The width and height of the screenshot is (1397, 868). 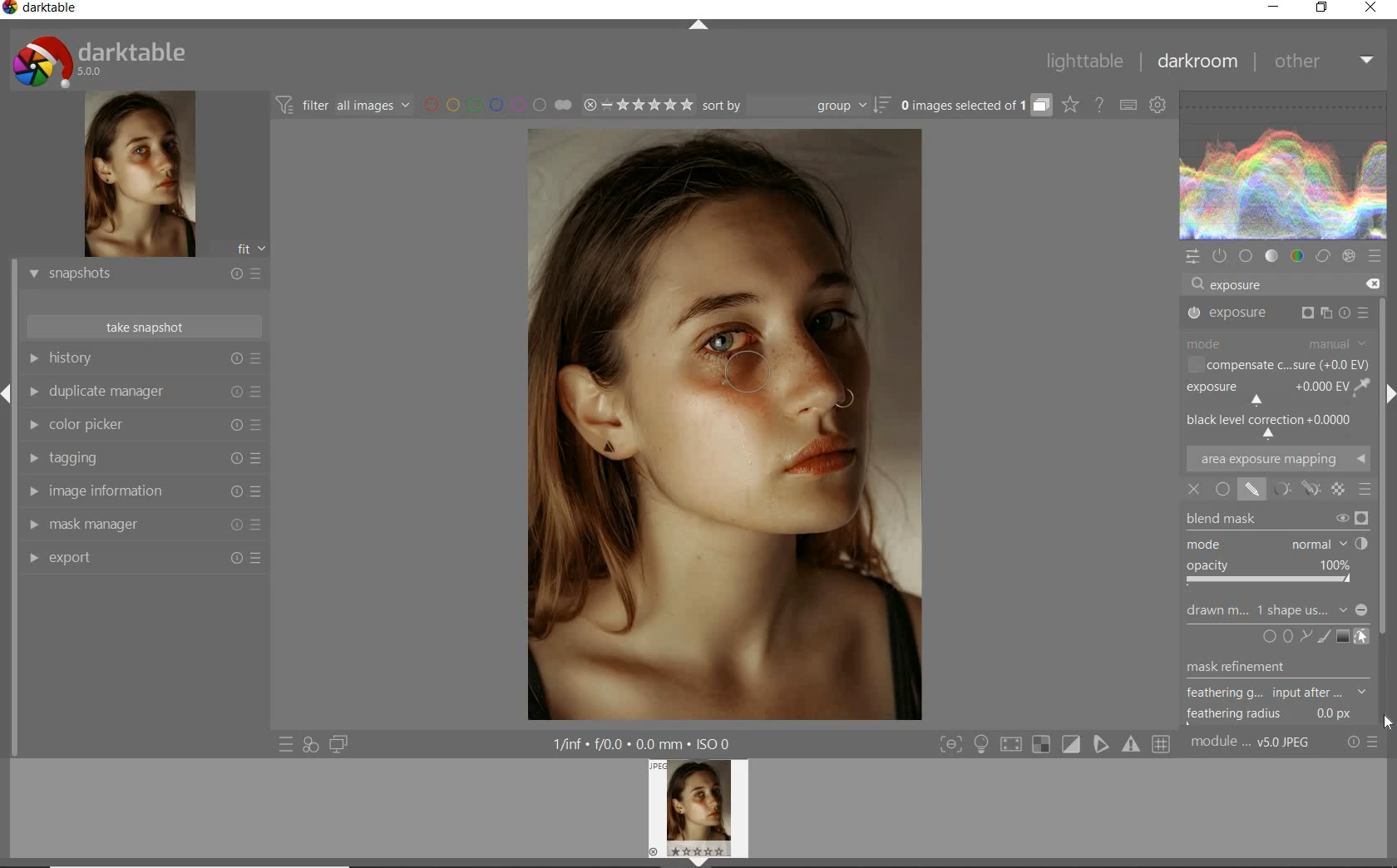 What do you see at coordinates (1127, 106) in the screenshot?
I see `set keyboard shortcuts` at bounding box center [1127, 106].